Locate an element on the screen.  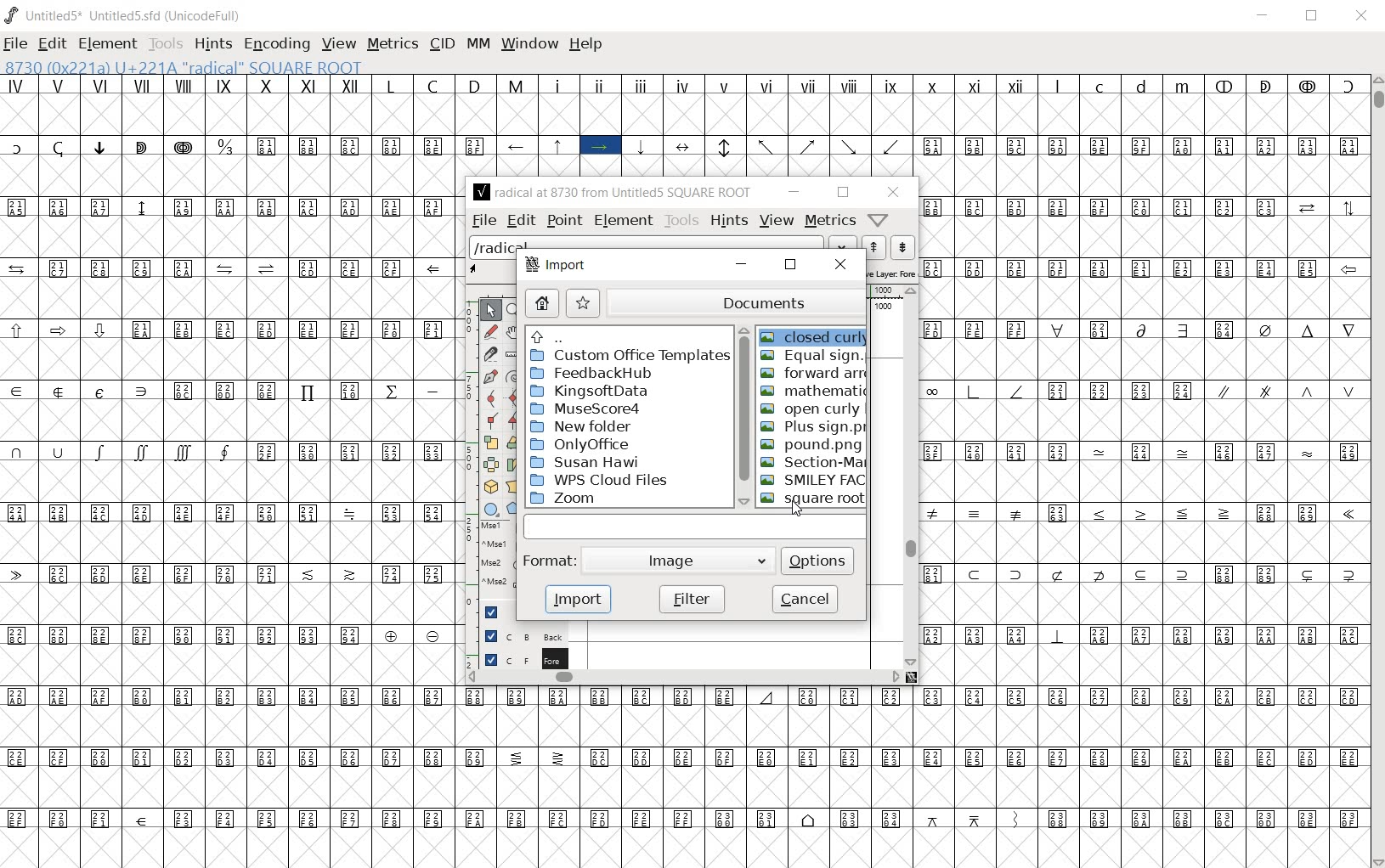
pound.png is located at coordinates (813, 445).